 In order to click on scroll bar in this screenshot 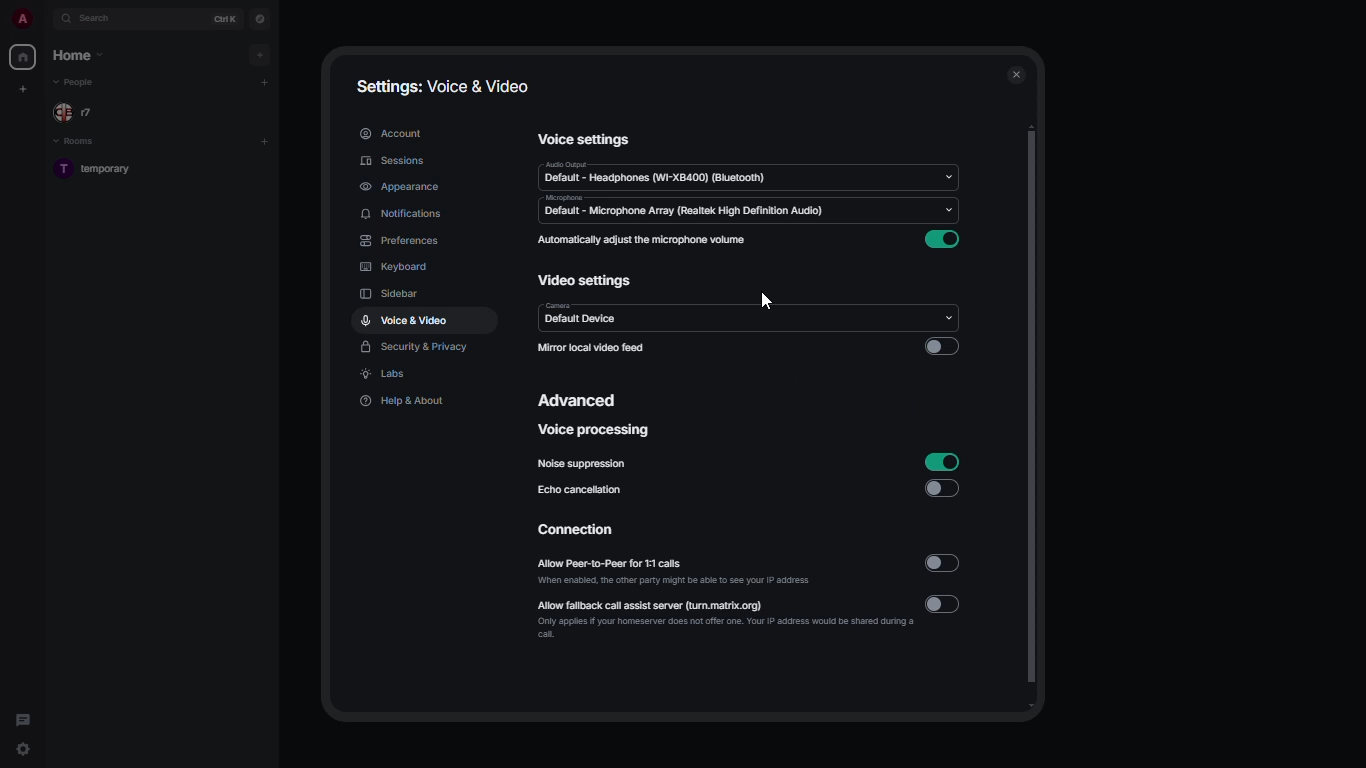, I will do `click(1034, 420)`.